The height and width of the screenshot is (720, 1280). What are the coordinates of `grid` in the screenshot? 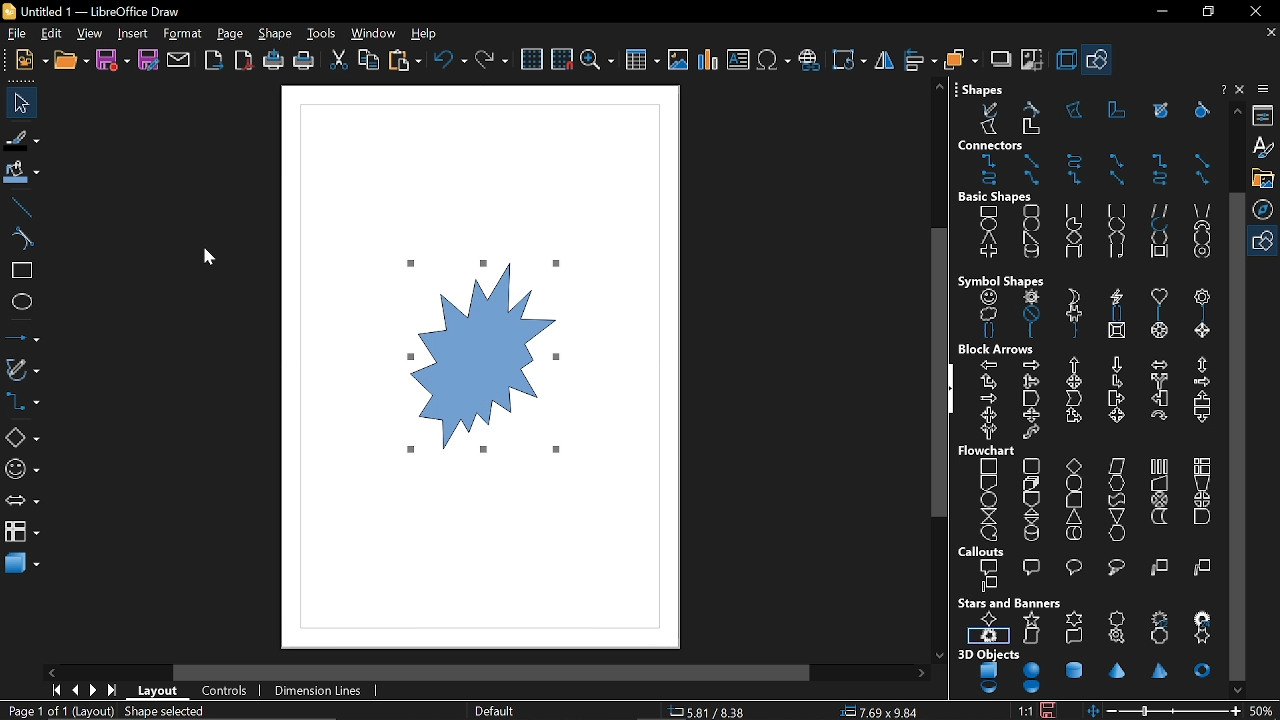 It's located at (534, 60).